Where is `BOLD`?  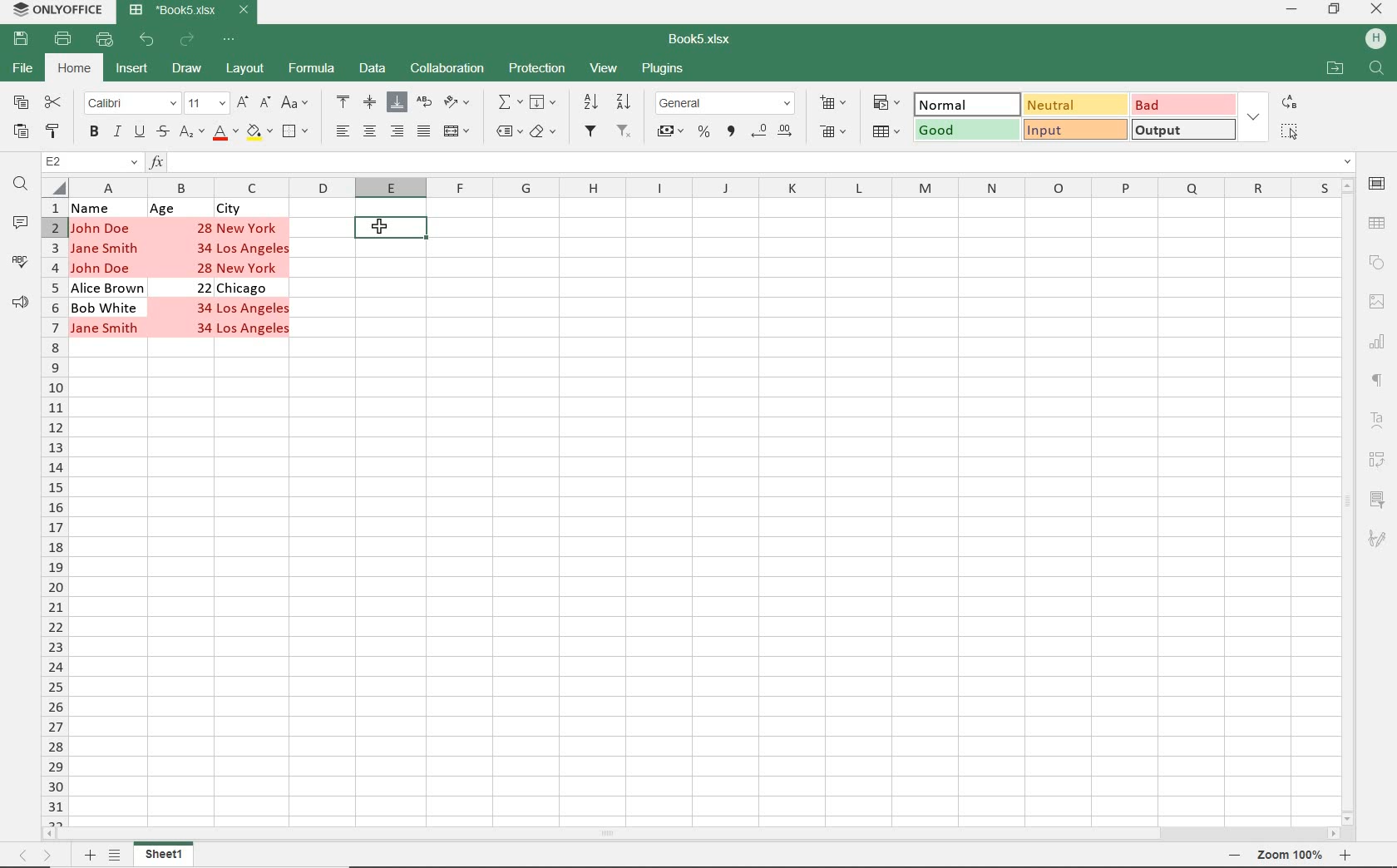
BOLD is located at coordinates (93, 133).